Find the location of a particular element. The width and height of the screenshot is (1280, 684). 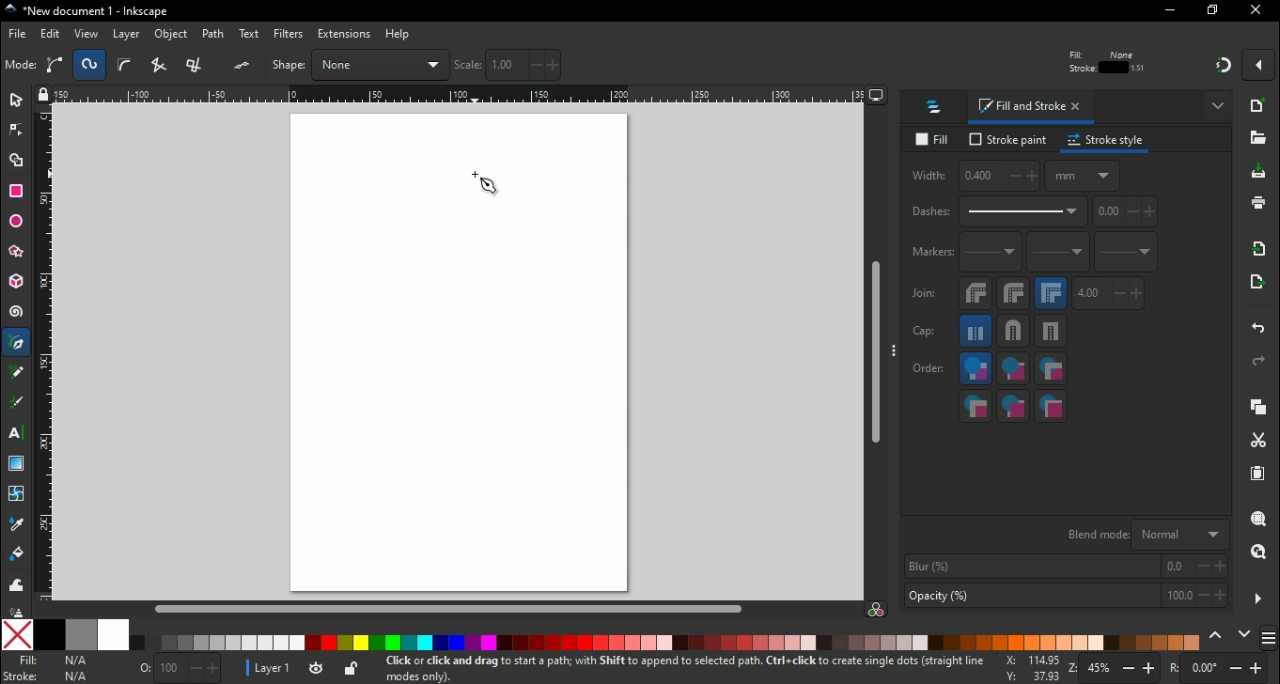

stroke markers, fill is located at coordinates (1015, 408).